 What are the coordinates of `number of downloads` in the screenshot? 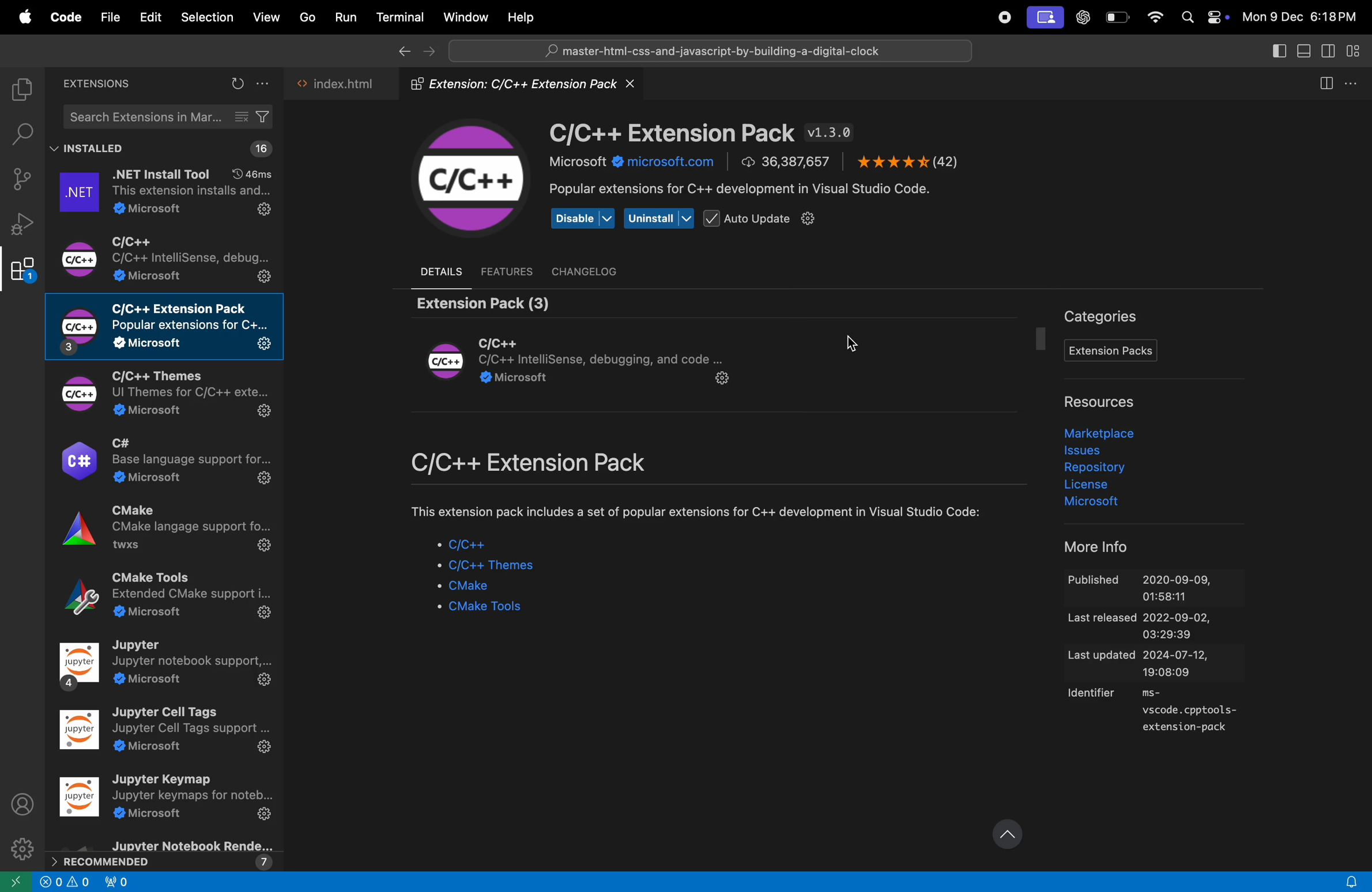 It's located at (786, 161).